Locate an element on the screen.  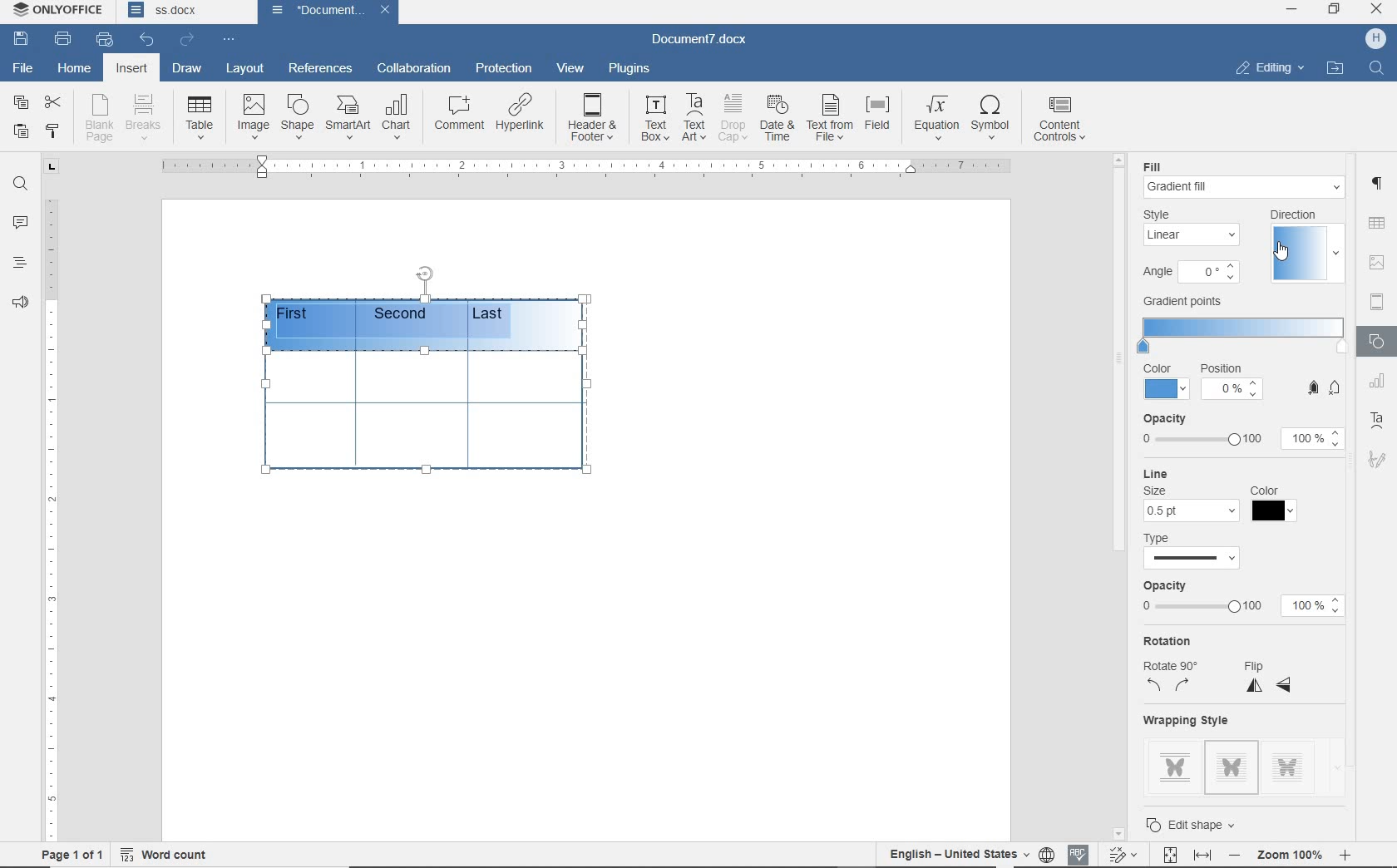
date & time is located at coordinates (777, 120).